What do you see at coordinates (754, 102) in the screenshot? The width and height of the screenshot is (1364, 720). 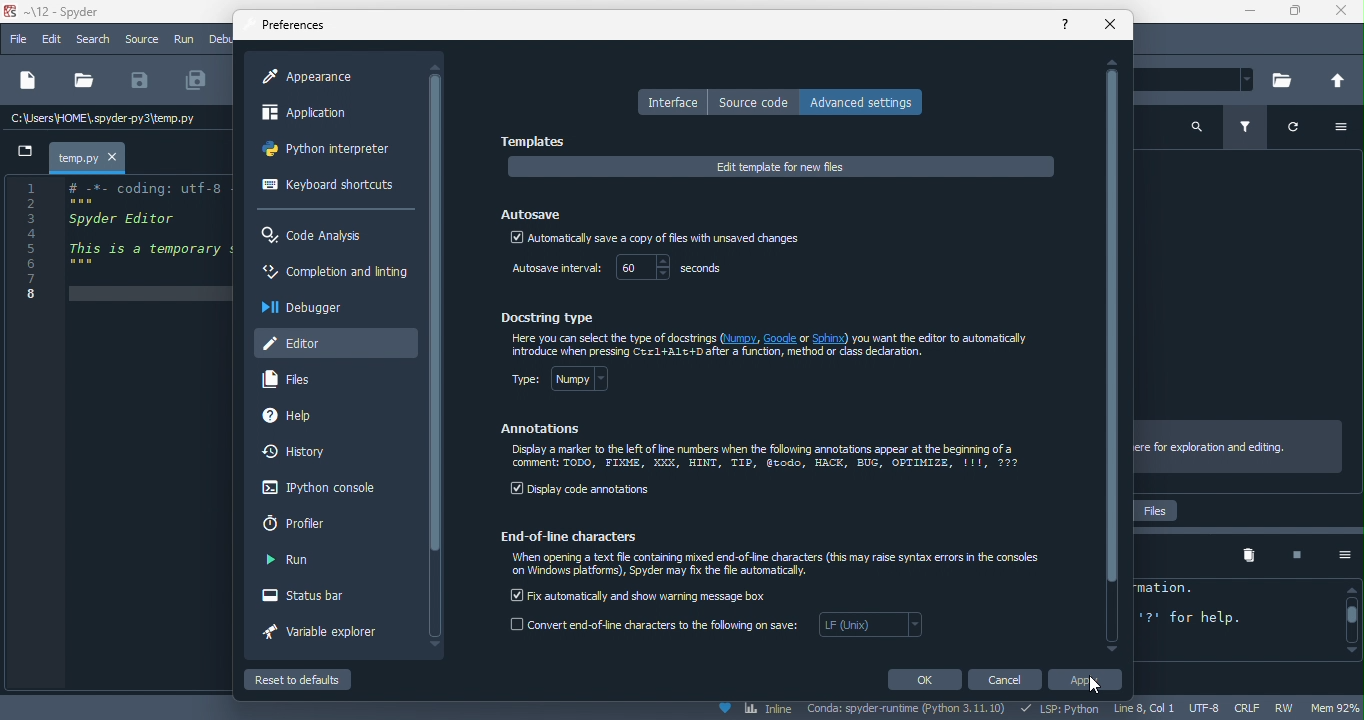 I see `source code` at bounding box center [754, 102].